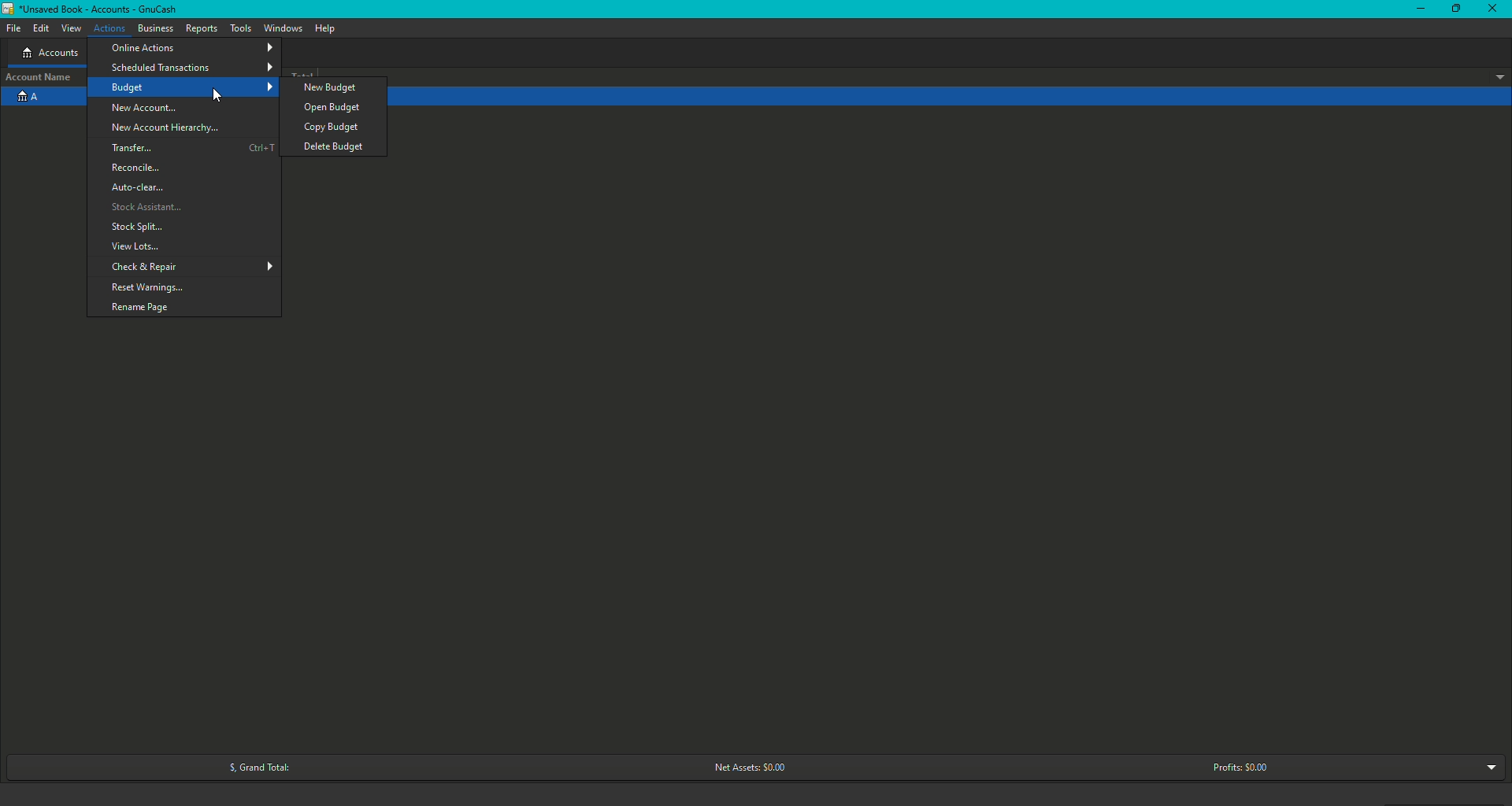 The height and width of the screenshot is (806, 1512). What do you see at coordinates (1417, 8) in the screenshot?
I see `Minimize` at bounding box center [1417, 8].